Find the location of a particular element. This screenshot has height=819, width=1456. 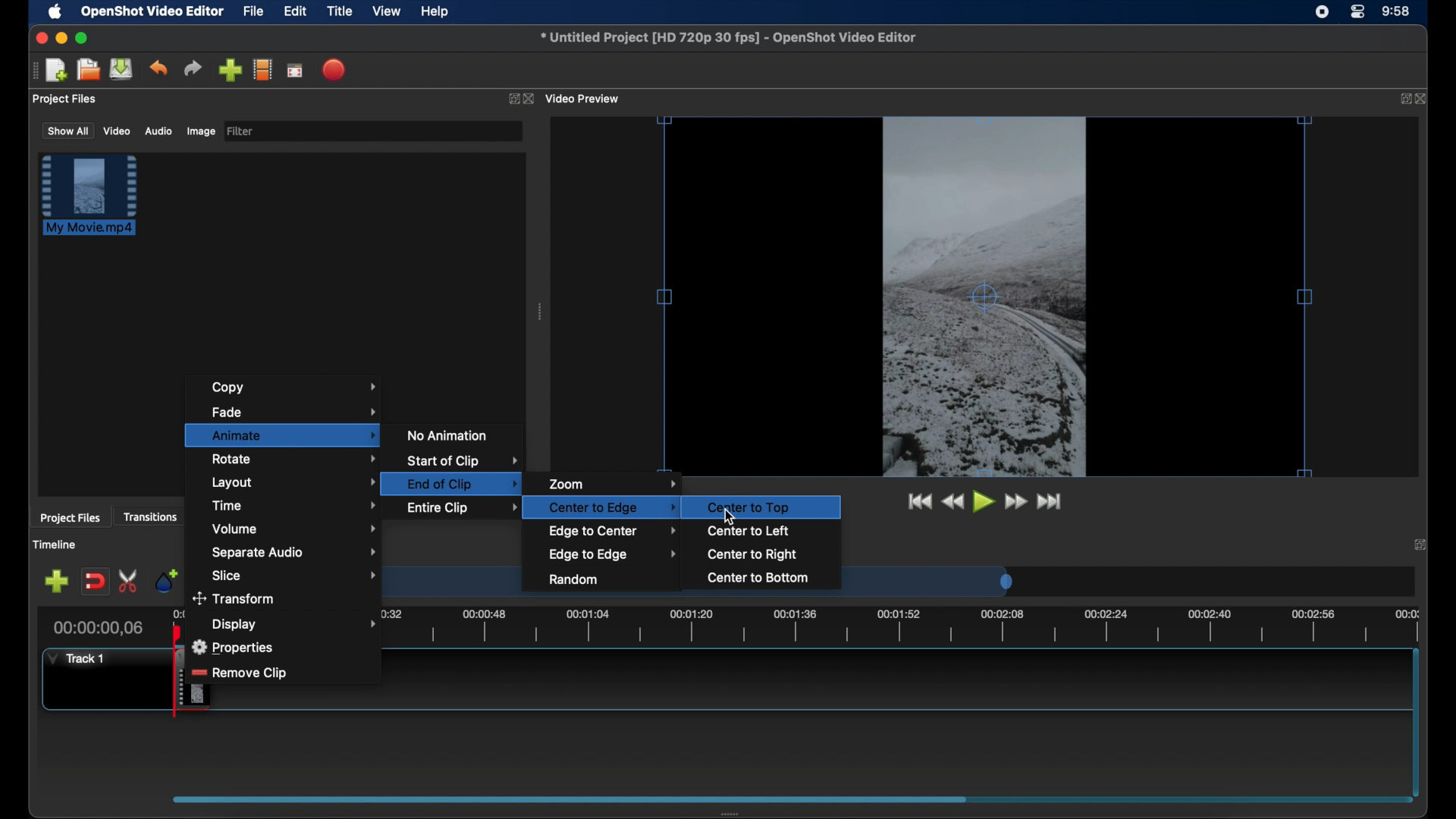

export video is located at coordinates (335, 70).